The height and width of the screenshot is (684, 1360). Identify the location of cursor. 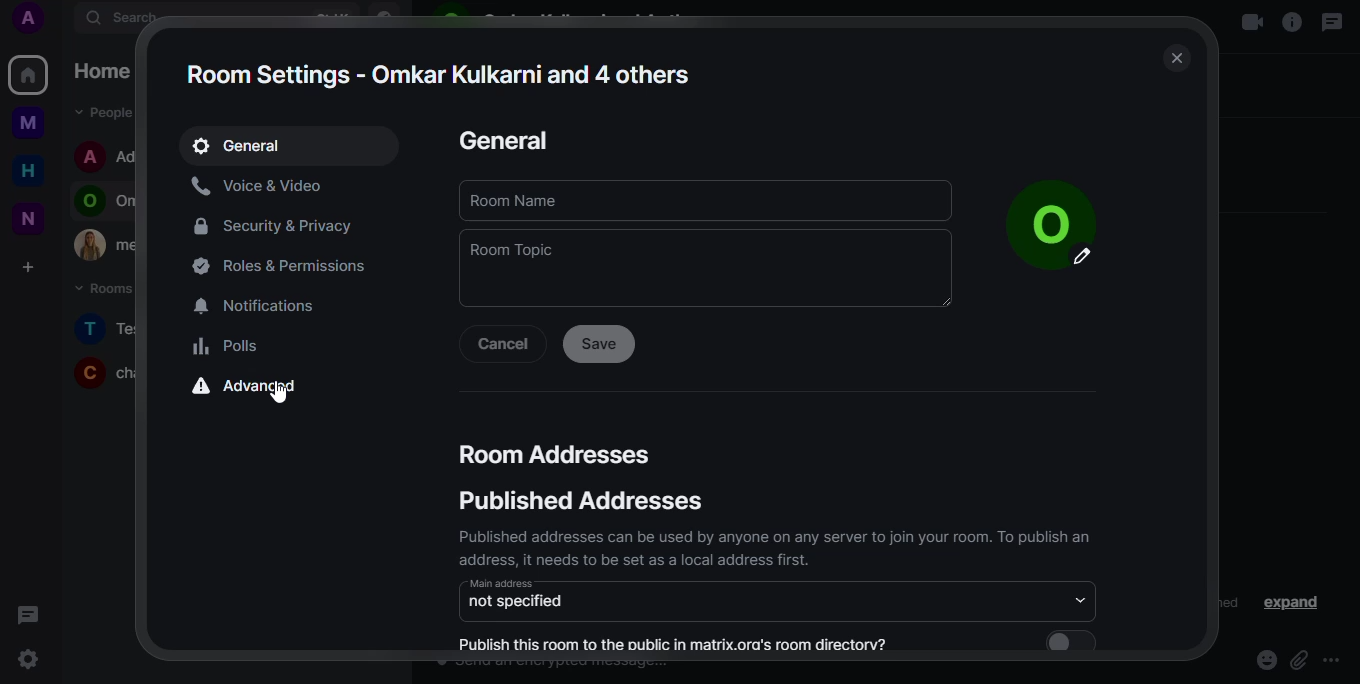
(280, 391).